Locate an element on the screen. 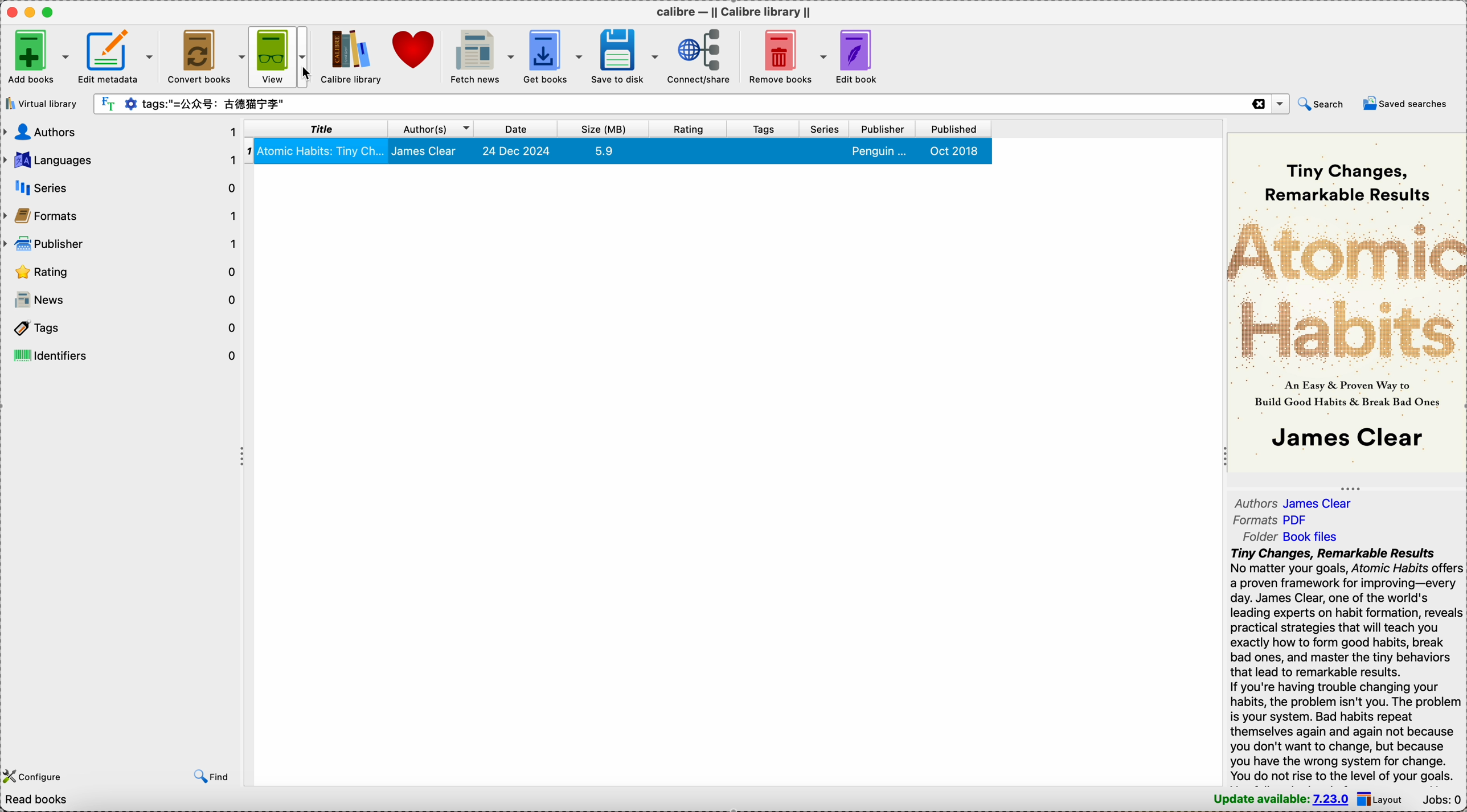  add books is located at coordinates (39, 54).